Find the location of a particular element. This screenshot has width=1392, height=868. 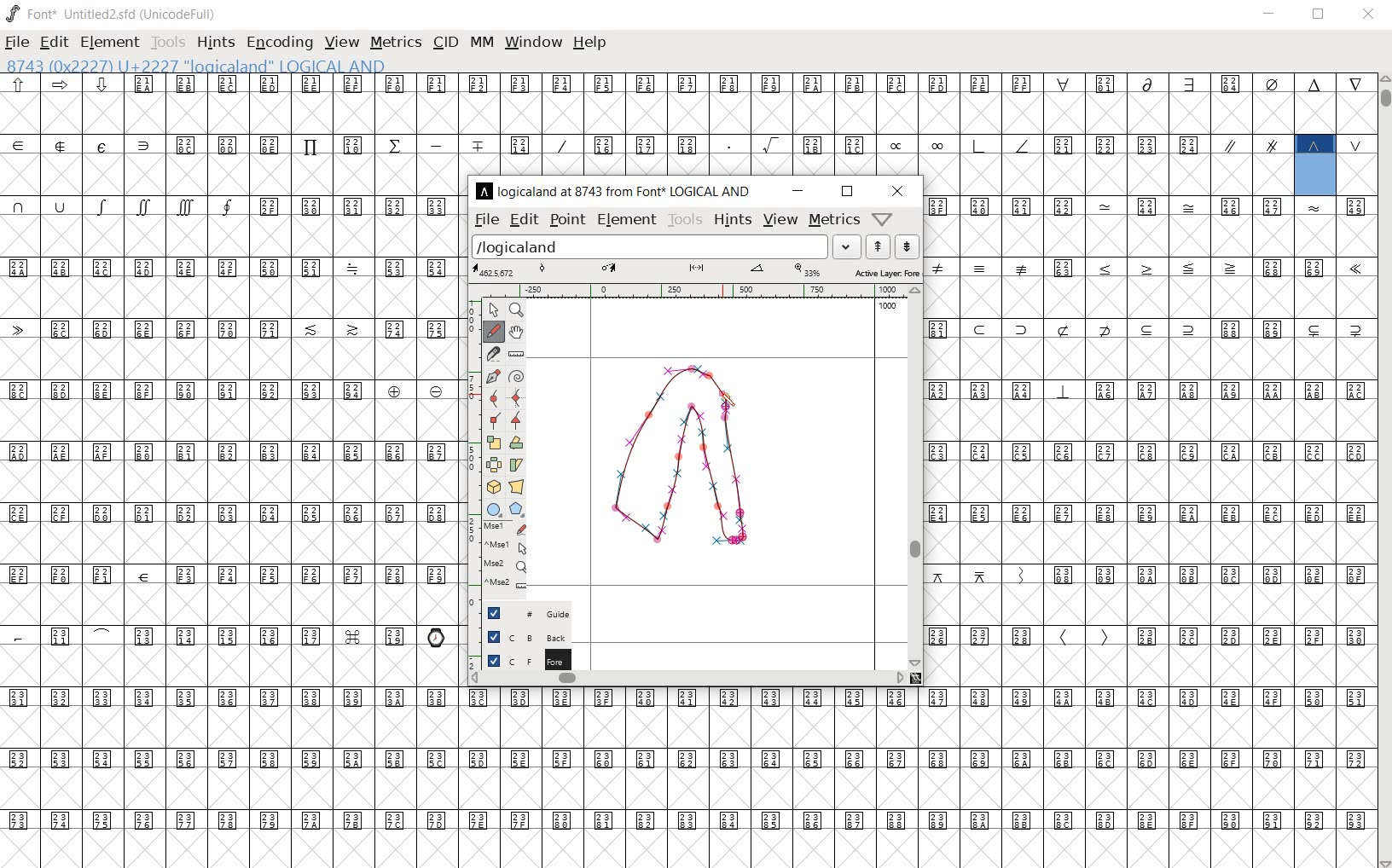

pencil toot/ cursor location is located at coordinates (732, 402).